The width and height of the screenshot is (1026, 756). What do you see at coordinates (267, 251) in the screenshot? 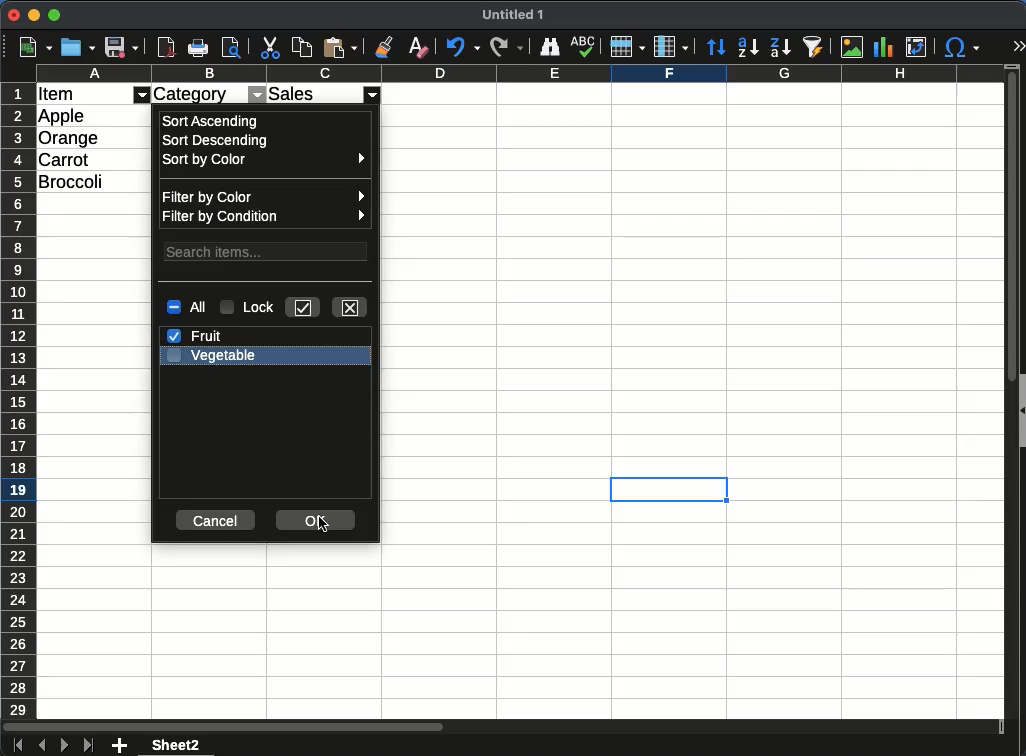
I see `search` at bounding box center [267, 251].